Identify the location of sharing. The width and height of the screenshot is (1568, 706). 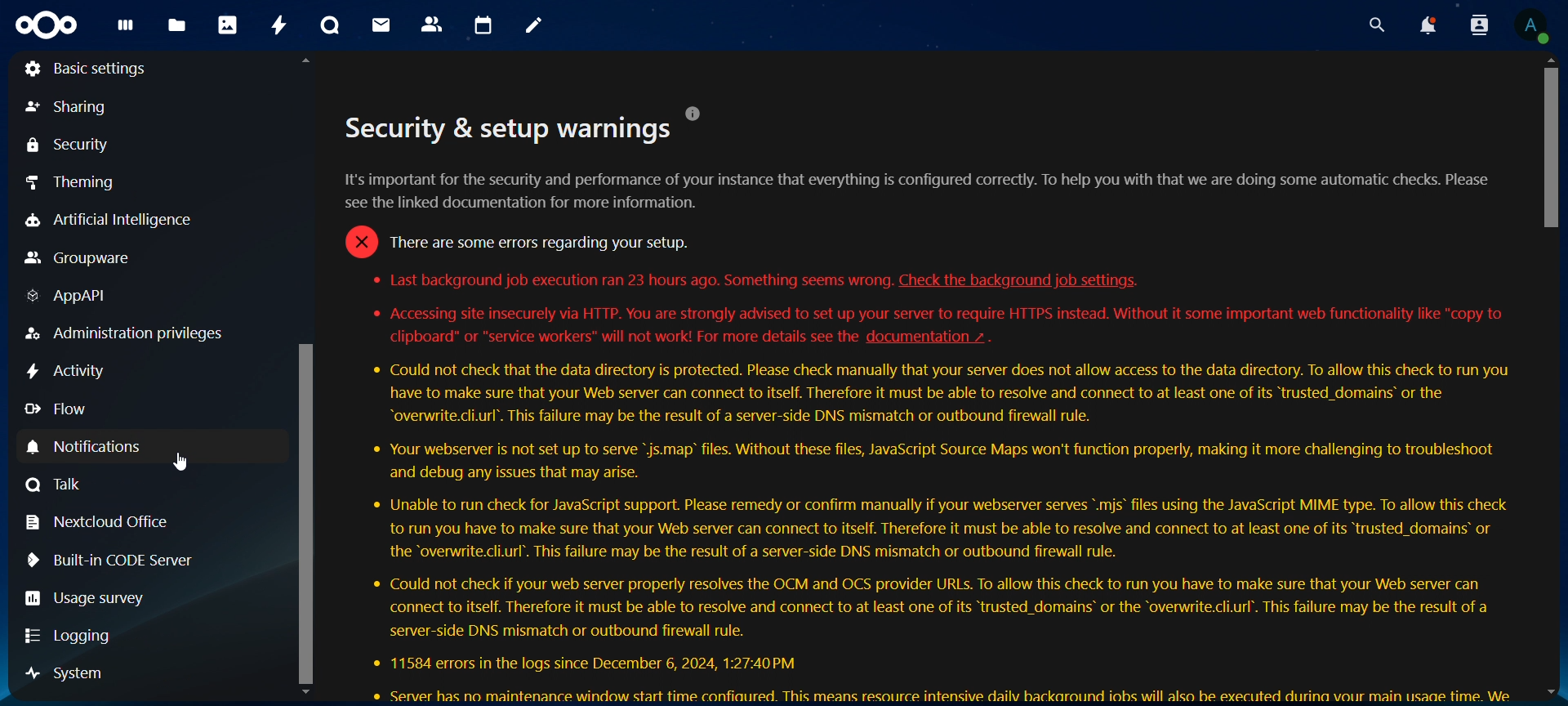
(72, 106).